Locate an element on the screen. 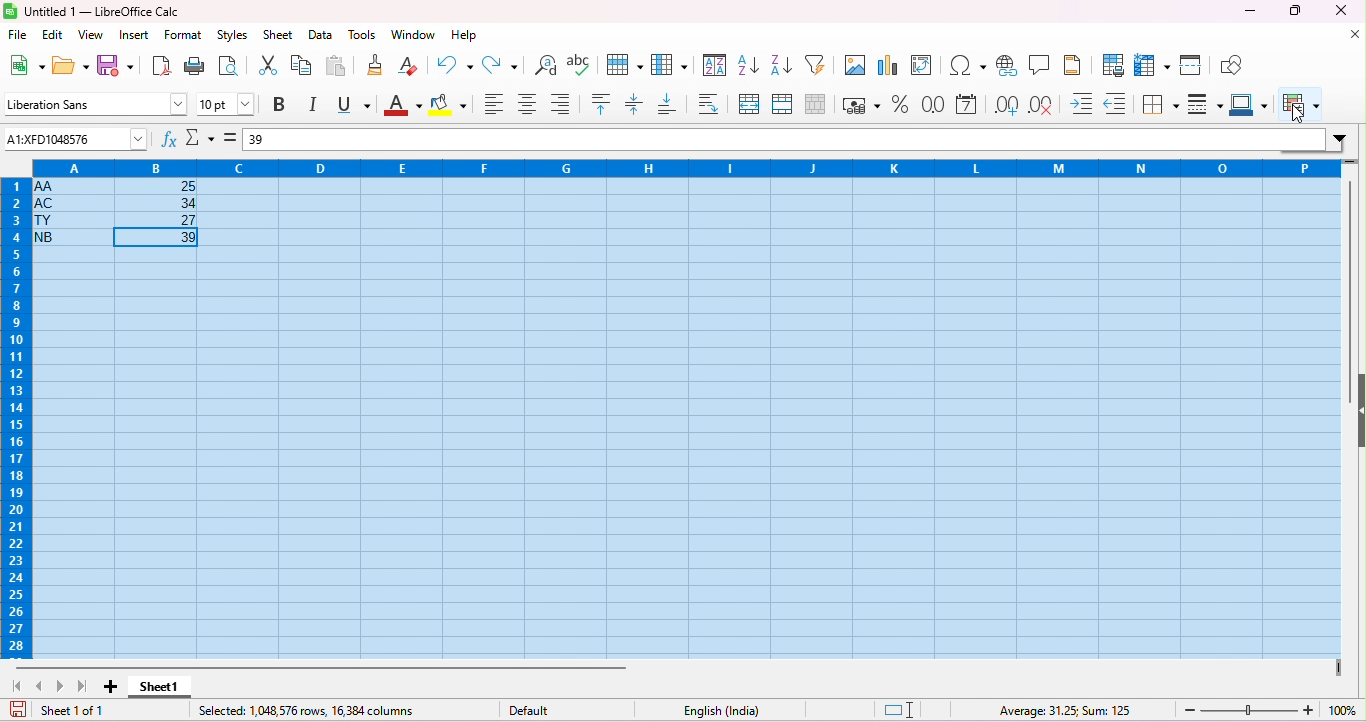  selected cells is located at coordinates (686, 416).